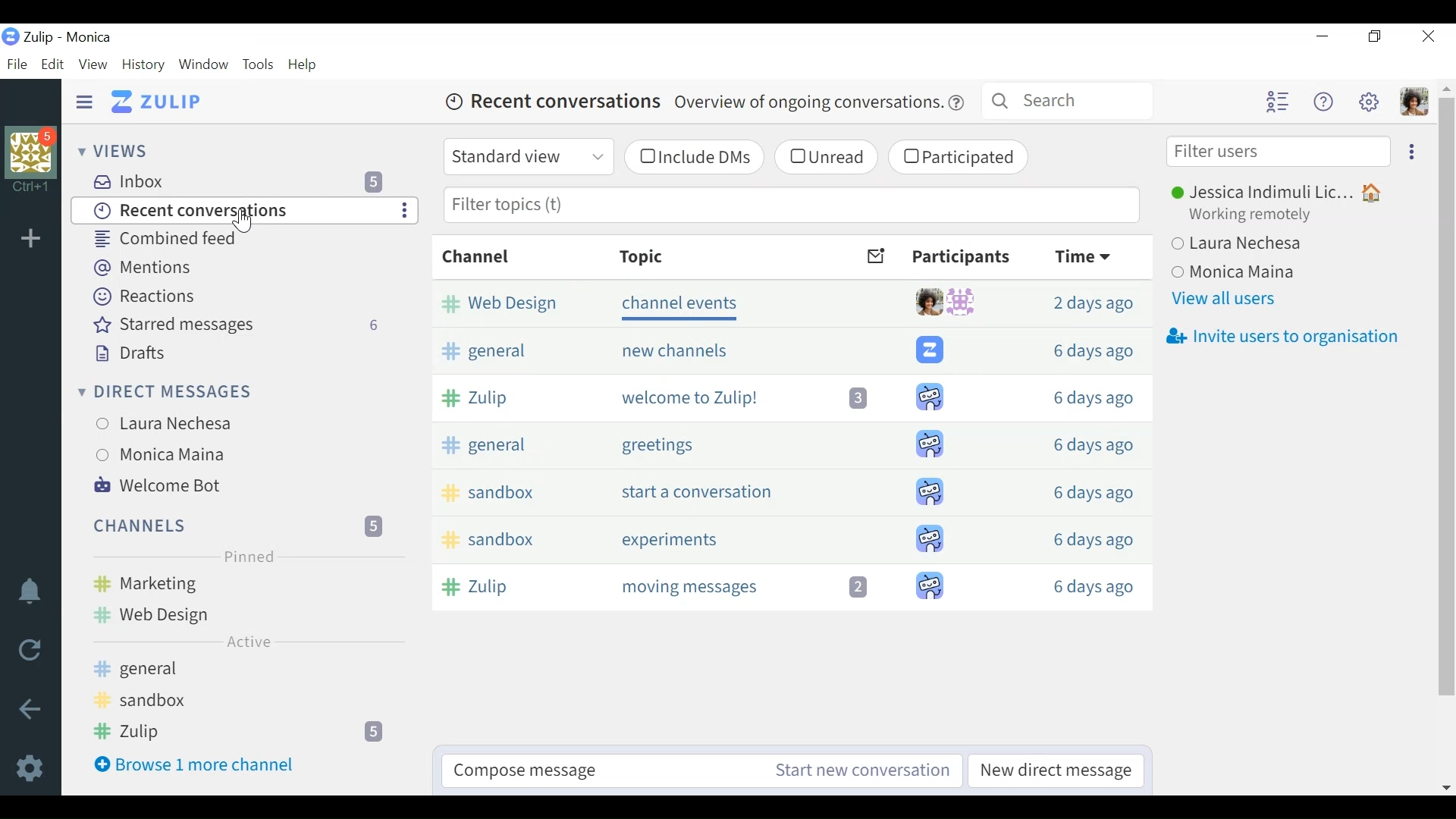 This screenshot has height=819, width=1456. Describe the element at coordinates (307, 64) in the screenshot. I see `Help` at that location.